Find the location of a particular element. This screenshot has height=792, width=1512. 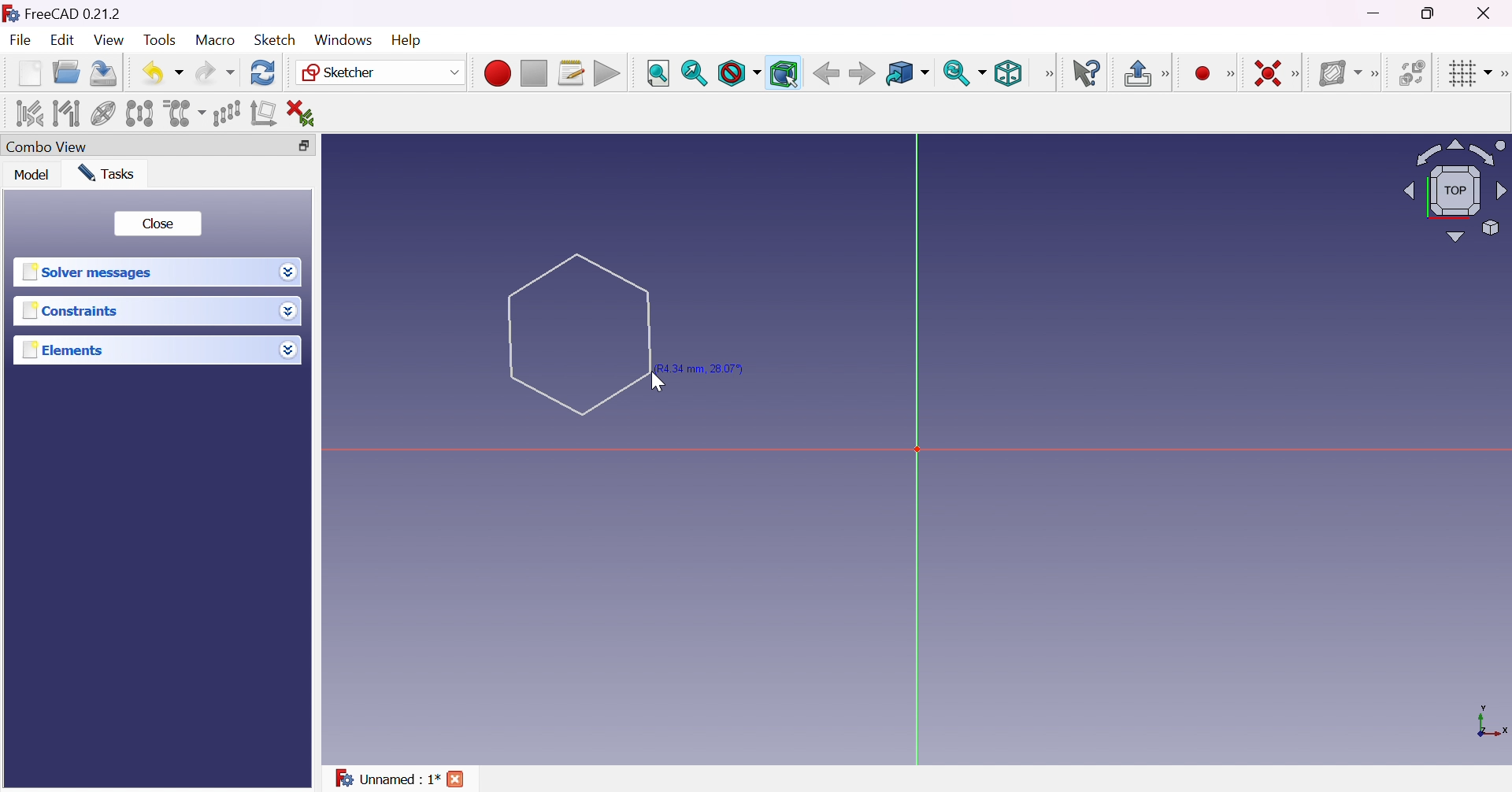

Tasks is located at coordinates (109, 174).